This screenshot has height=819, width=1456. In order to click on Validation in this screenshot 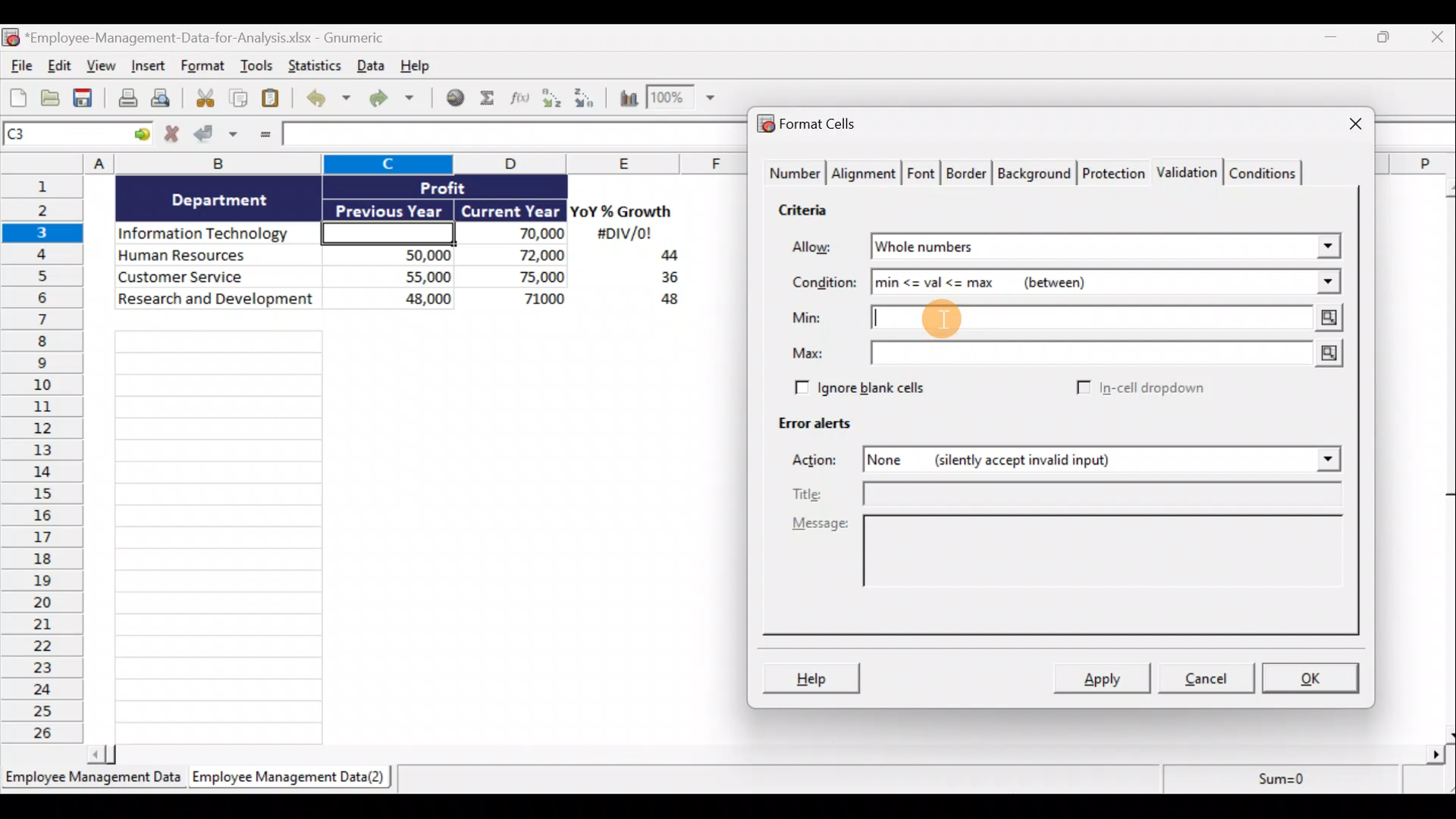, I will do `click(1189, 171)`.